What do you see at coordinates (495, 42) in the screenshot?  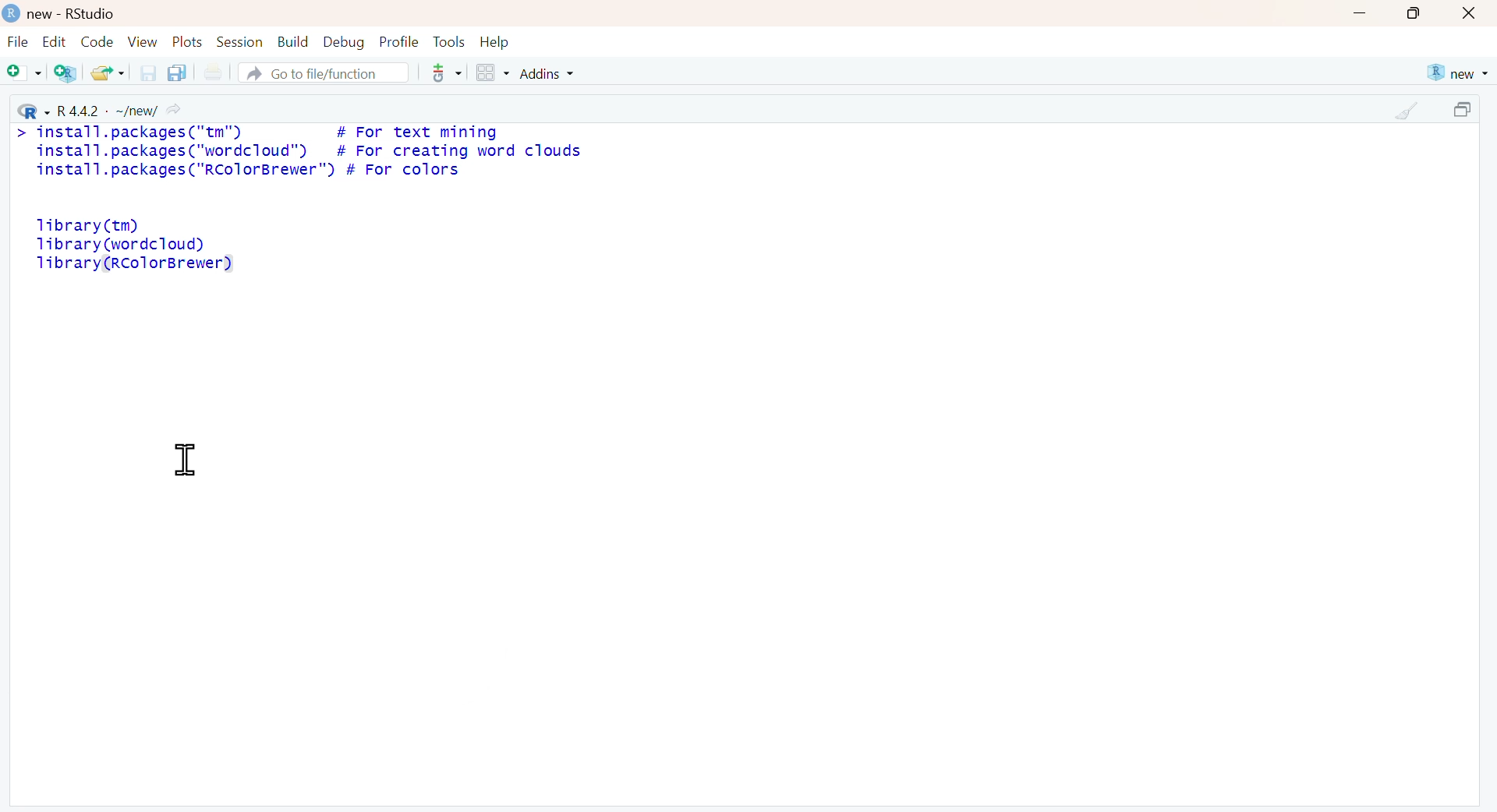 I see `Help` at bounding box center [495, 42].